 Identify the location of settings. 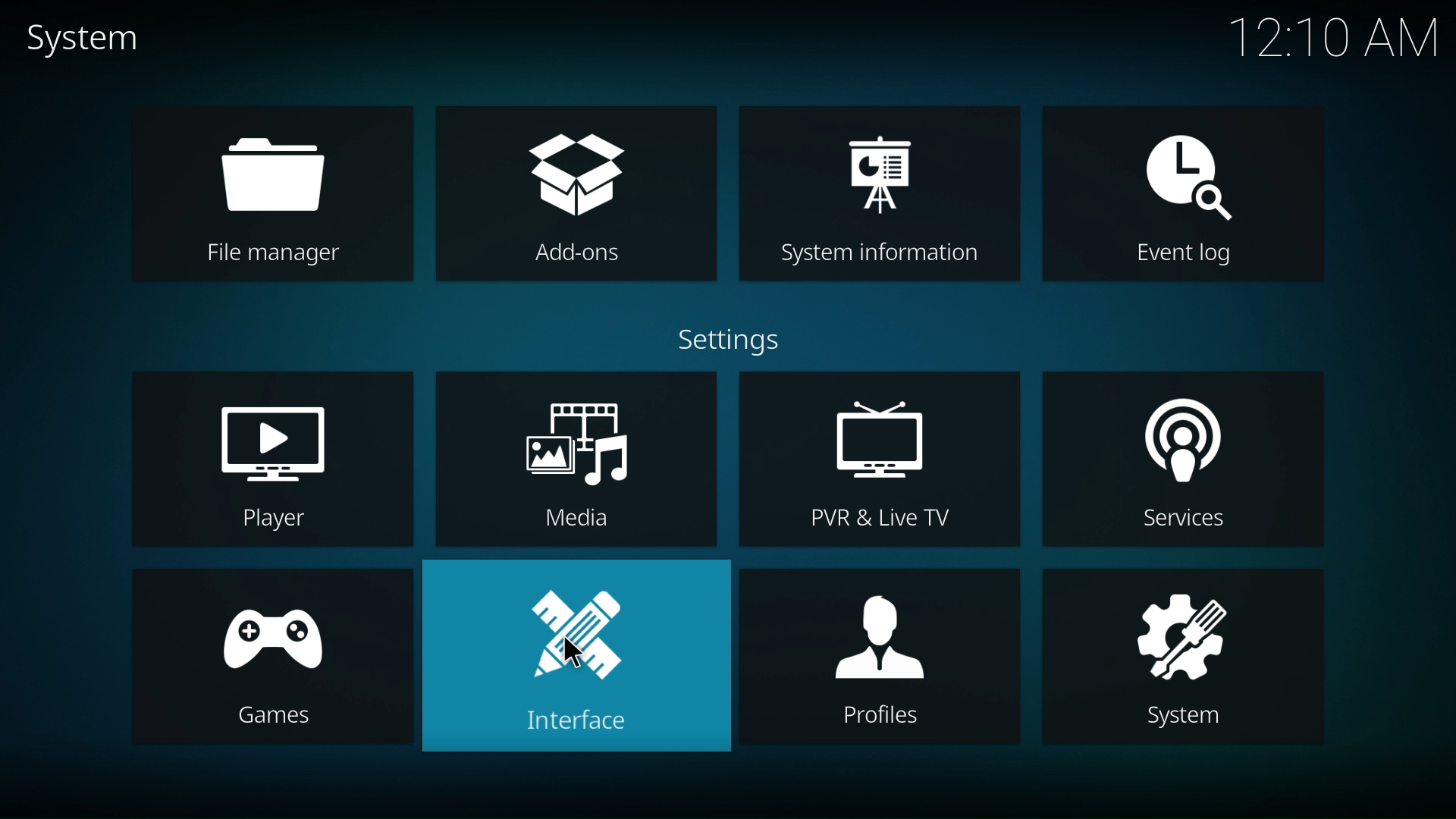
(724, 340).